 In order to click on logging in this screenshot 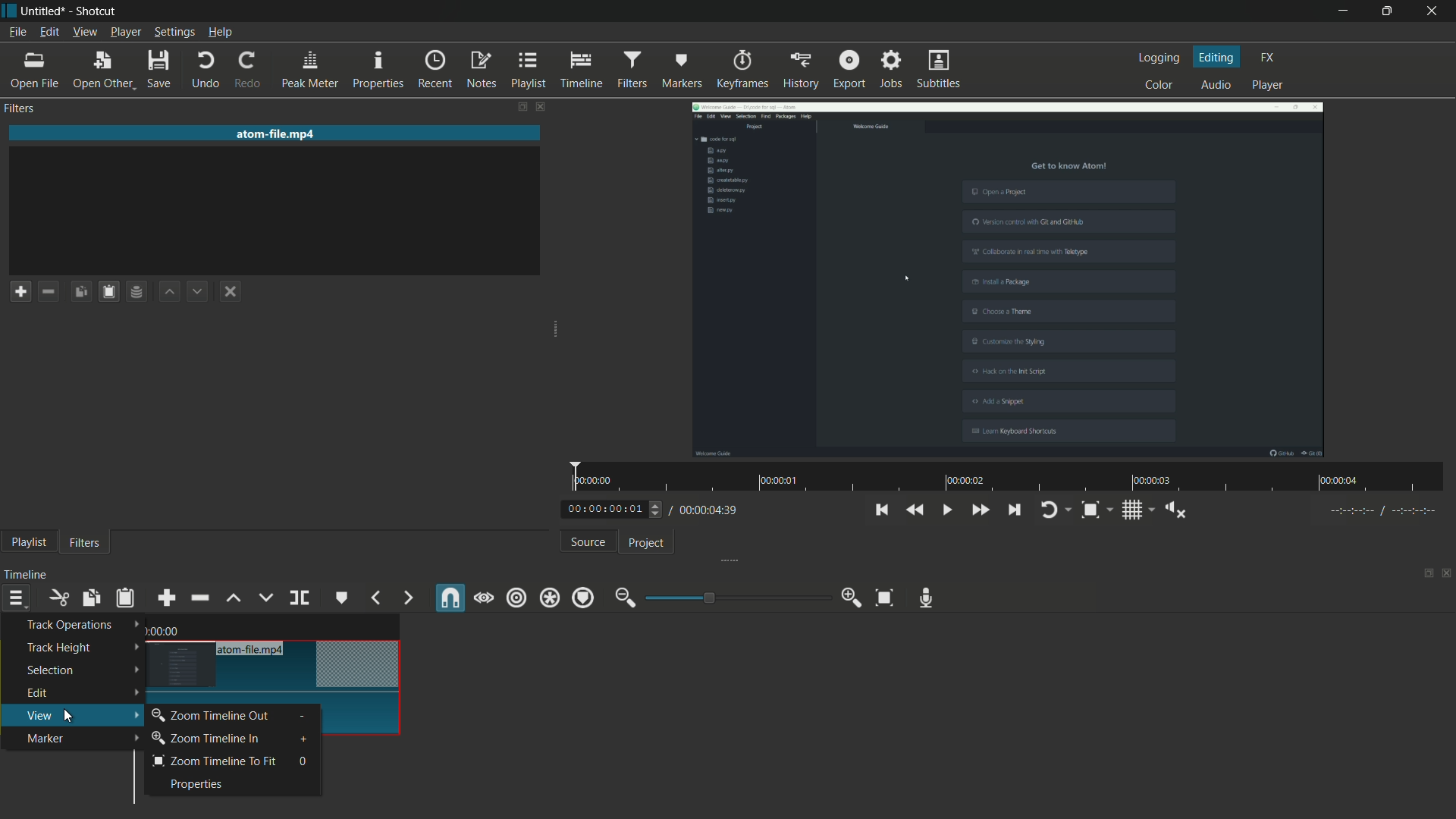, I will do `click(1161, 58)`.